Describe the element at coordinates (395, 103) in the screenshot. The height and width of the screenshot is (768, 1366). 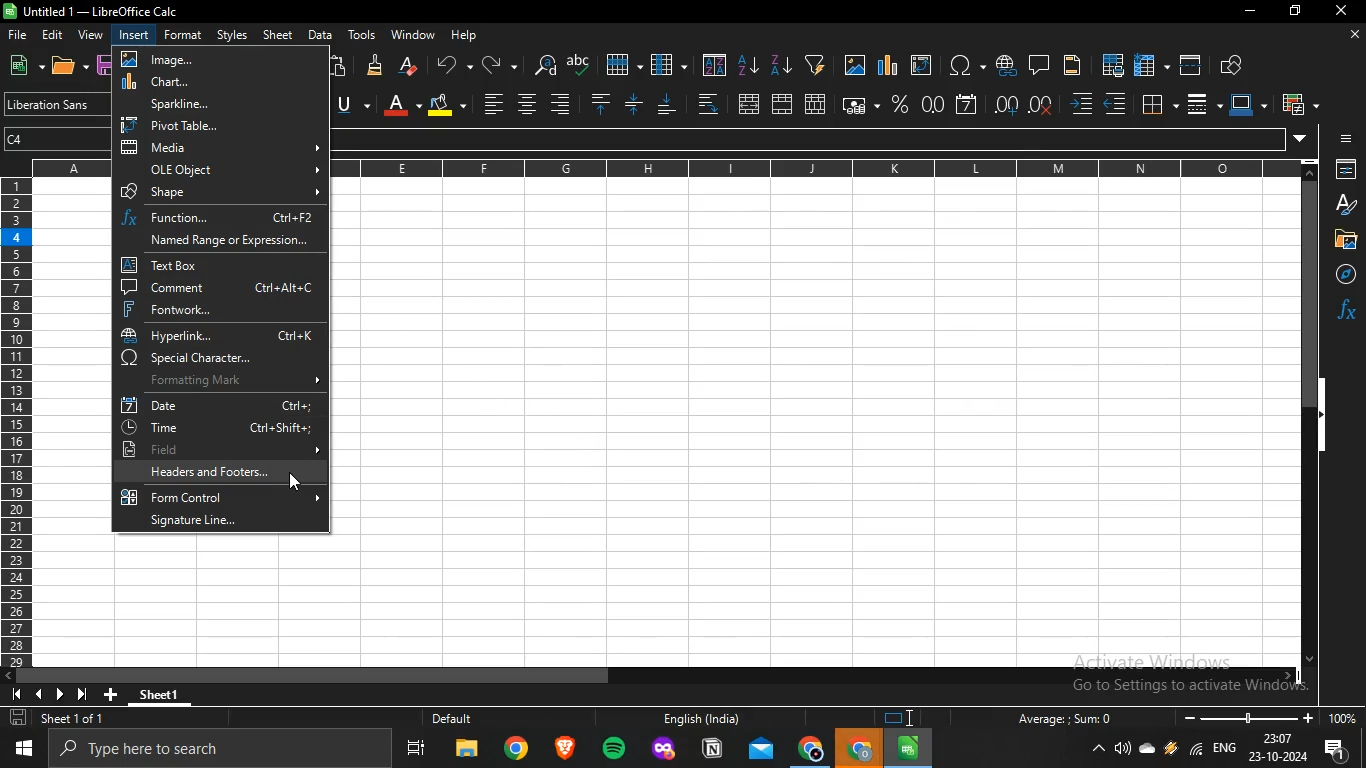
I see `font color` at that location.